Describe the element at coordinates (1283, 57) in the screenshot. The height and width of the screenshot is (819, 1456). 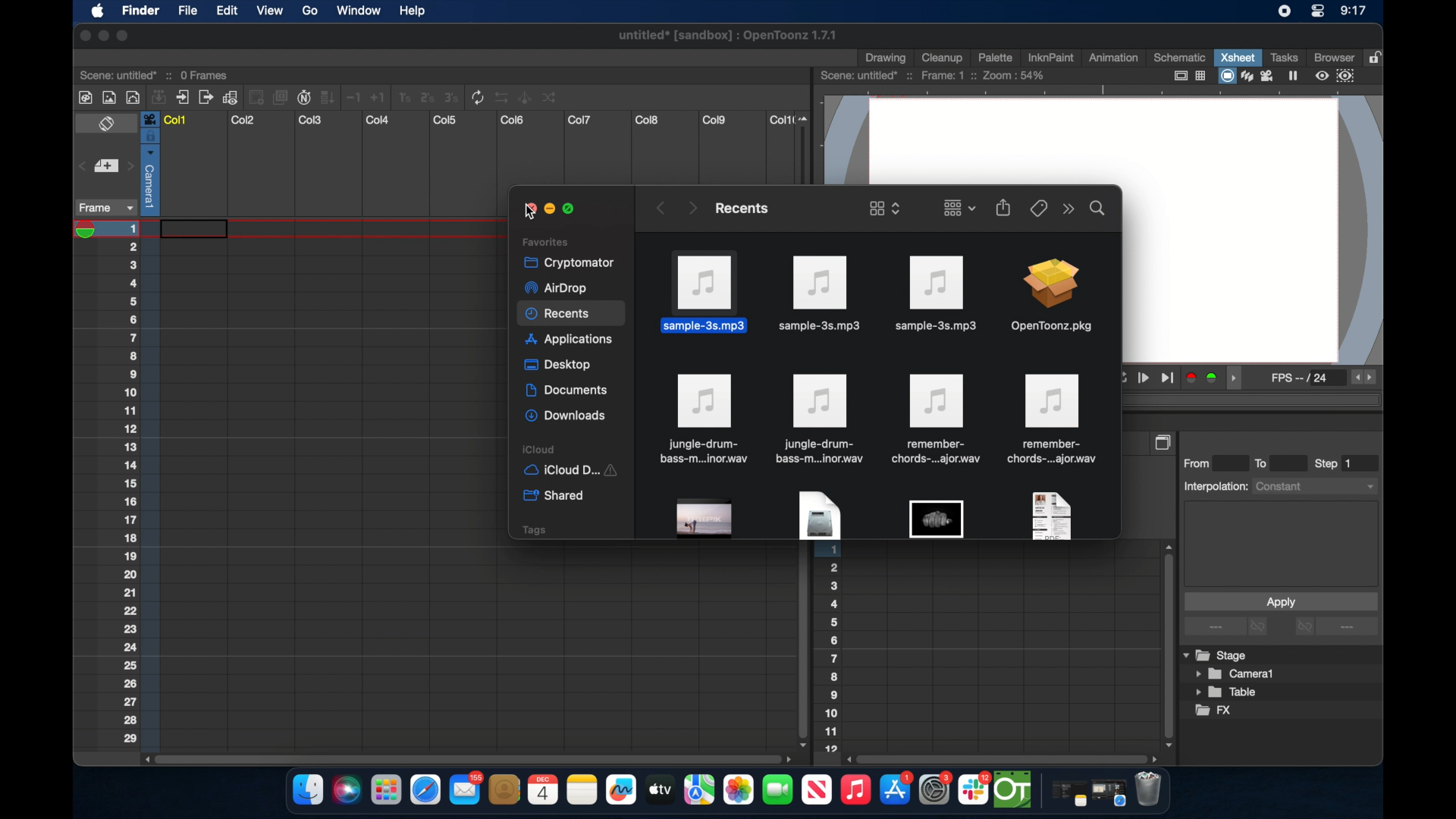
I see `tasks` at that location.